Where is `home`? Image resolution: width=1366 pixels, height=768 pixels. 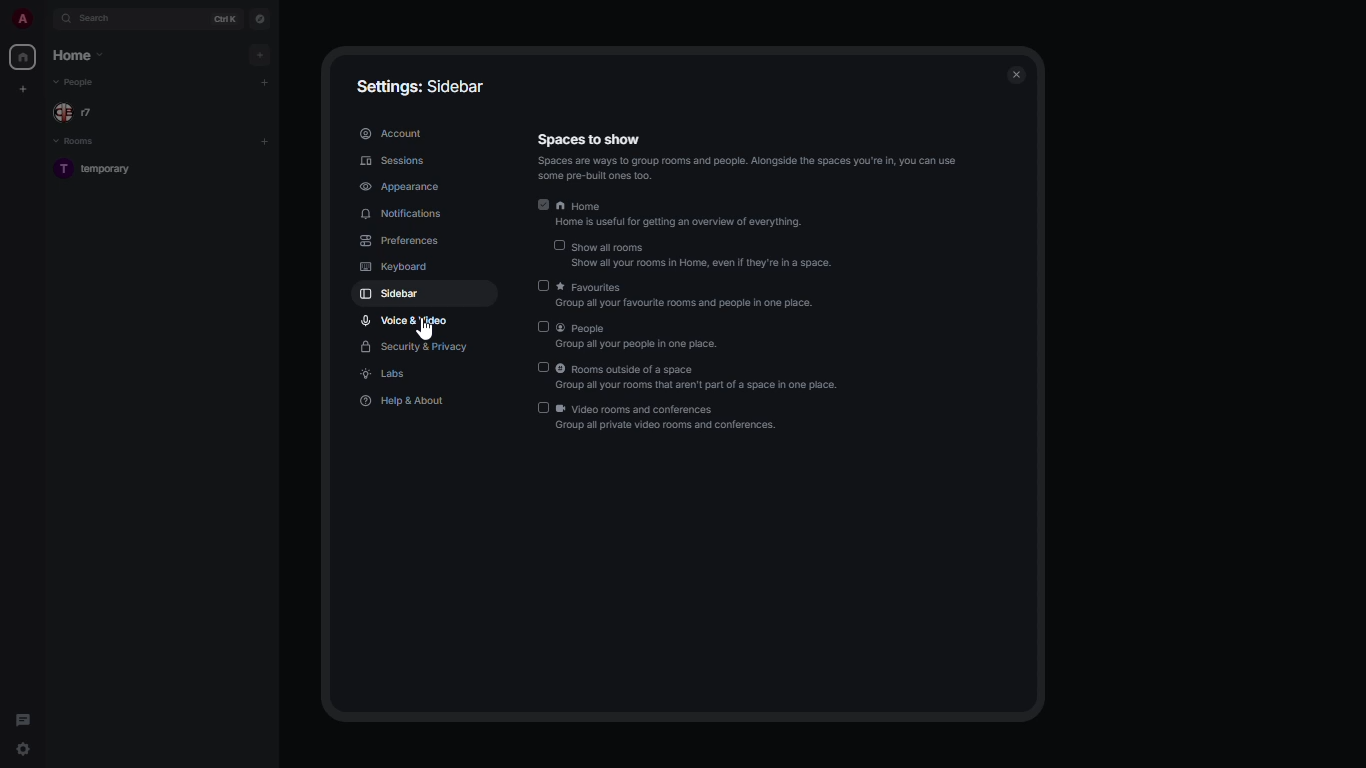 home is located at coordinates (81, 55).